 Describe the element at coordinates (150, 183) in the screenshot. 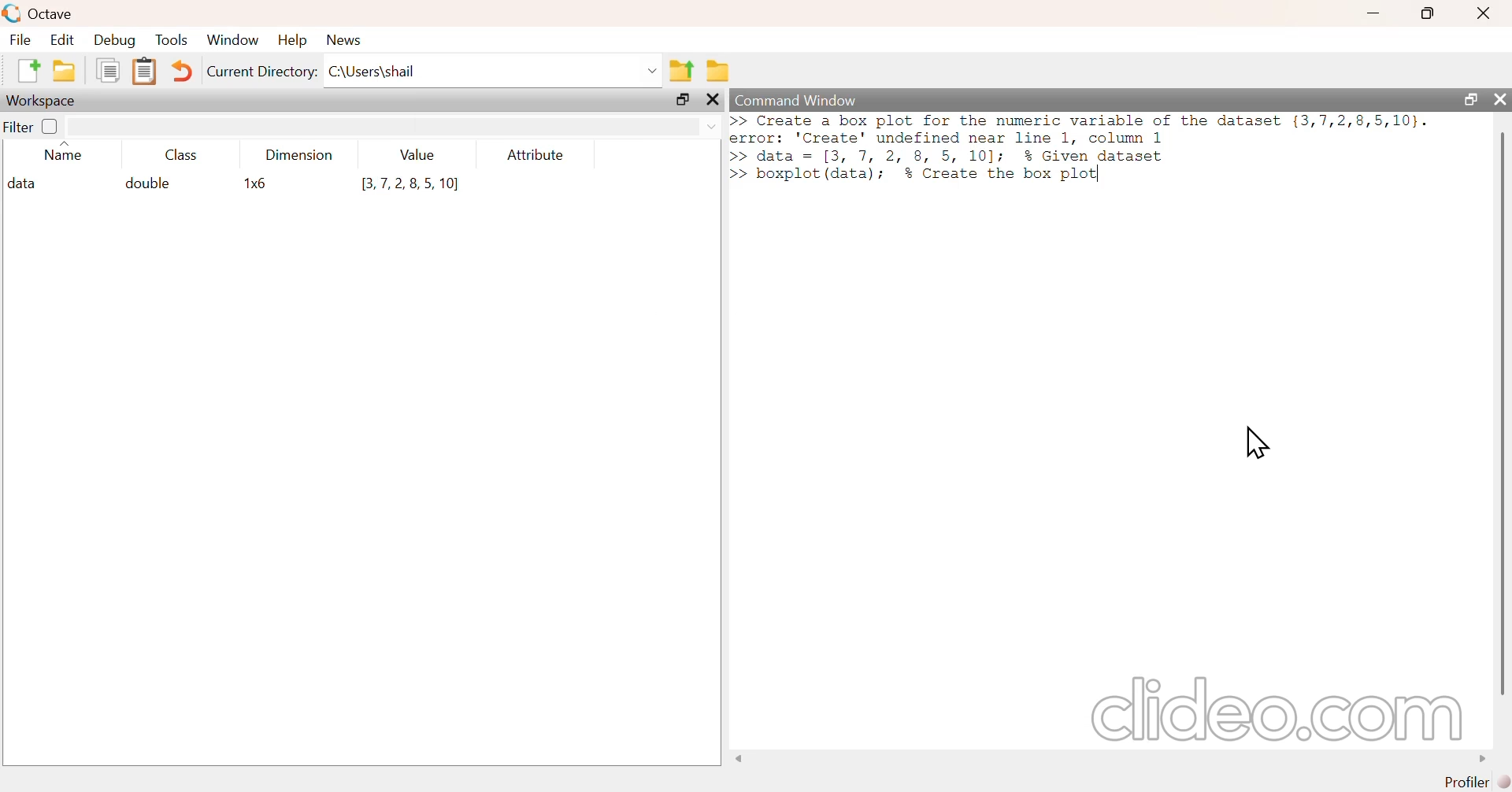

I see `double` at that location.